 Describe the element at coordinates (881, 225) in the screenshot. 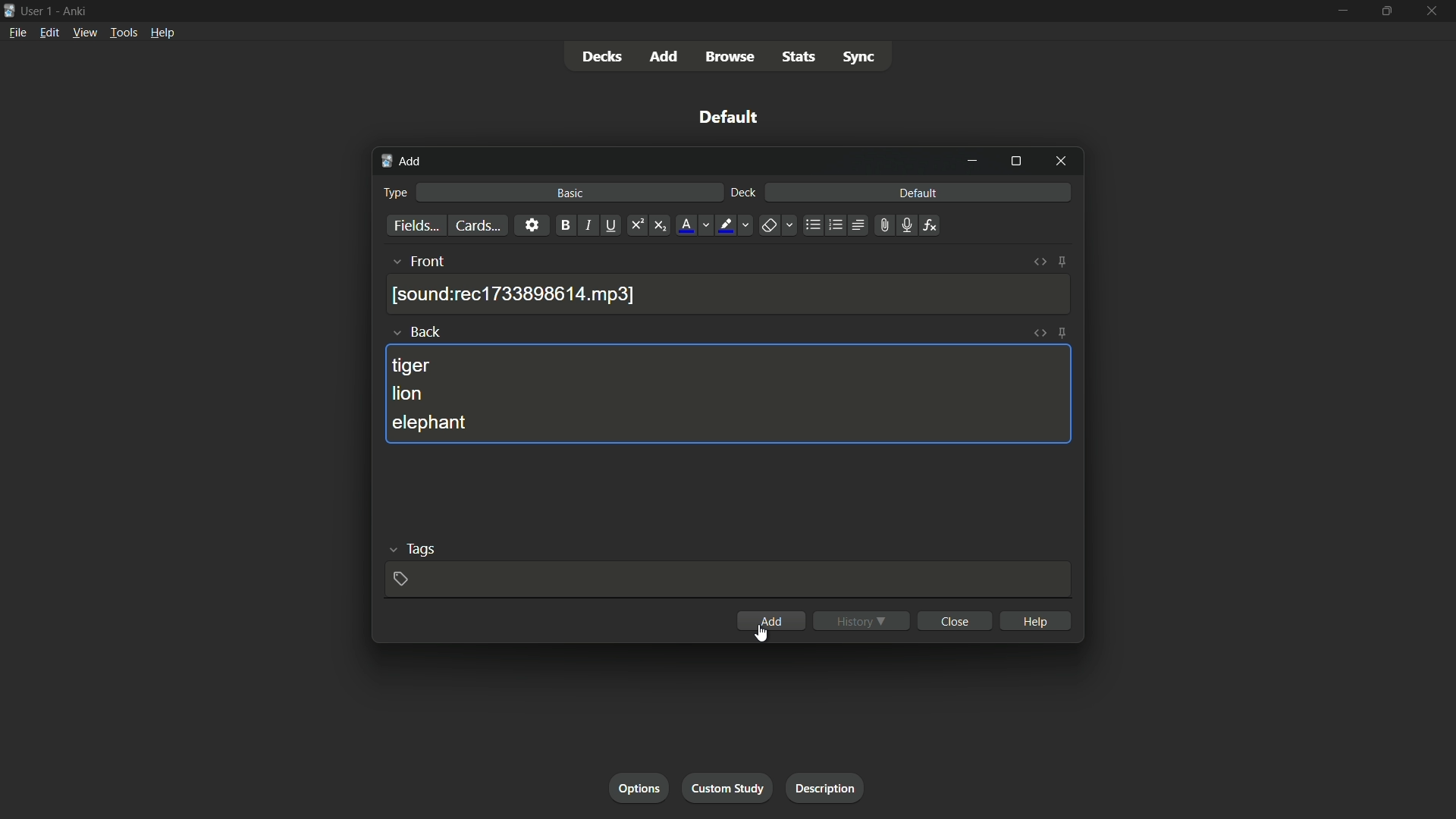

I see `attach` at that location.